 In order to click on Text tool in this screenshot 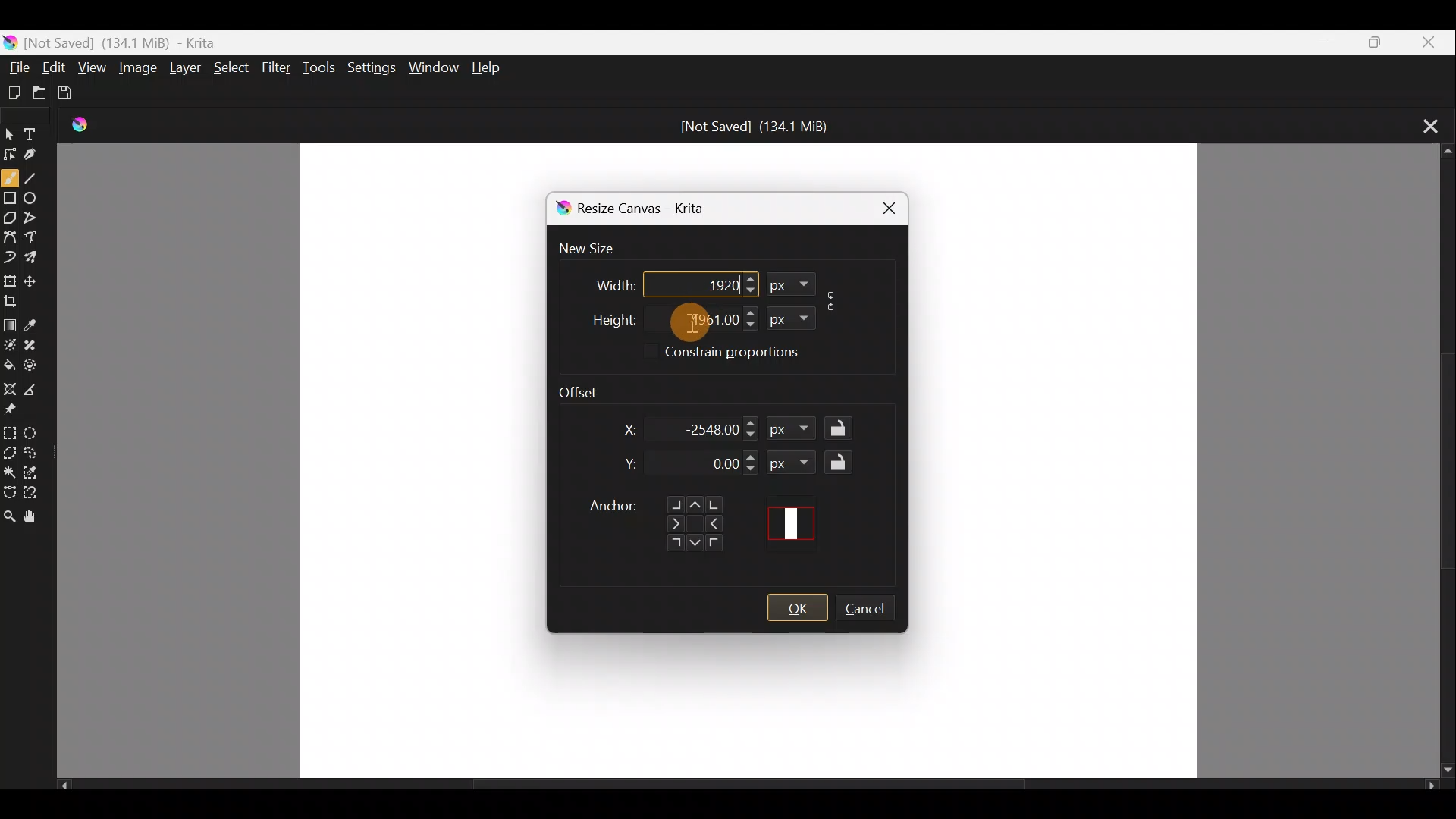, I will do `click(39, 129)`.